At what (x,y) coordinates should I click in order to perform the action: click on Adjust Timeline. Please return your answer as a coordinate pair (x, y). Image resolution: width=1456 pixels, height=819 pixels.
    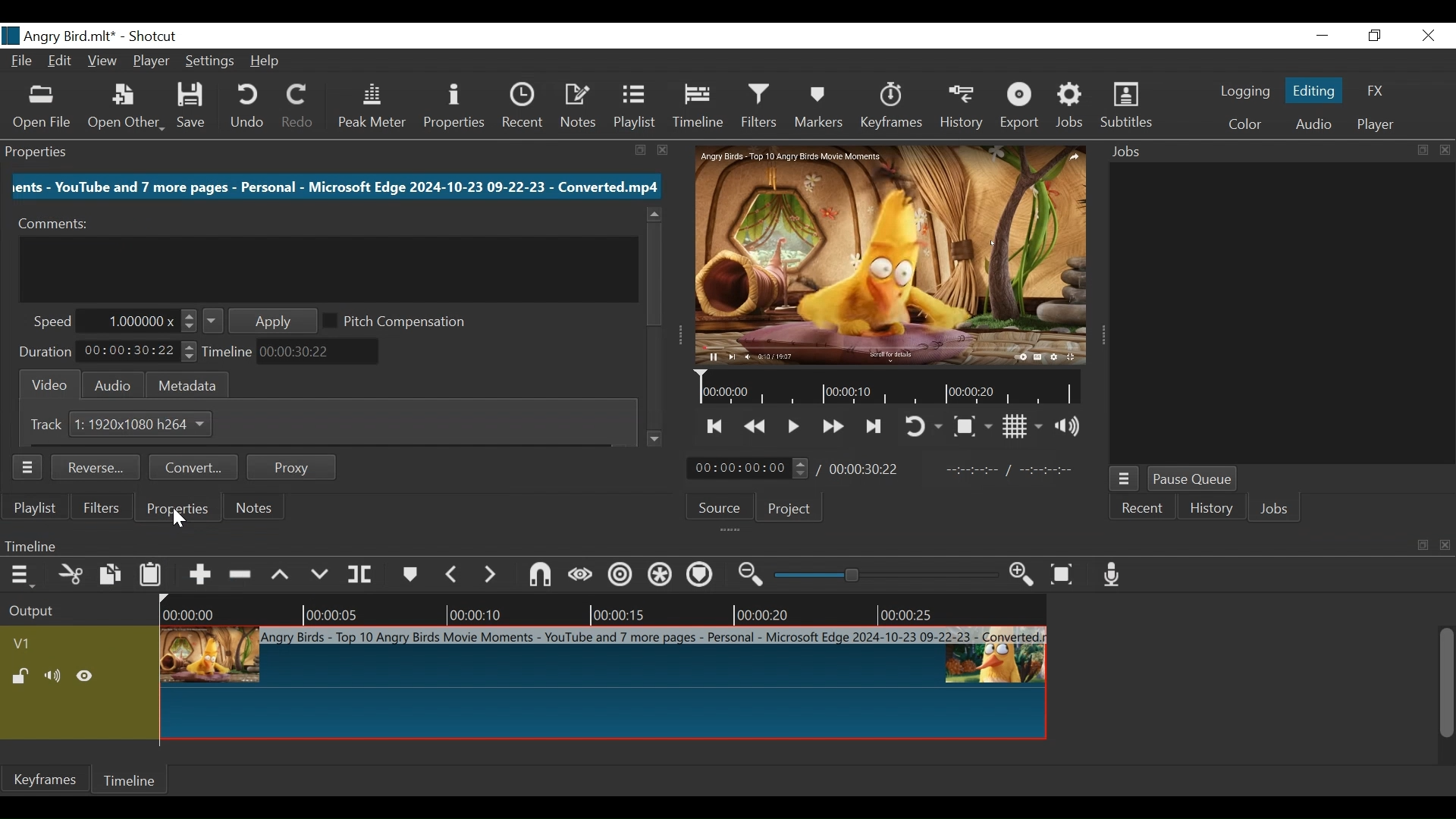
    Looking at the image, I should click on (322, 352).